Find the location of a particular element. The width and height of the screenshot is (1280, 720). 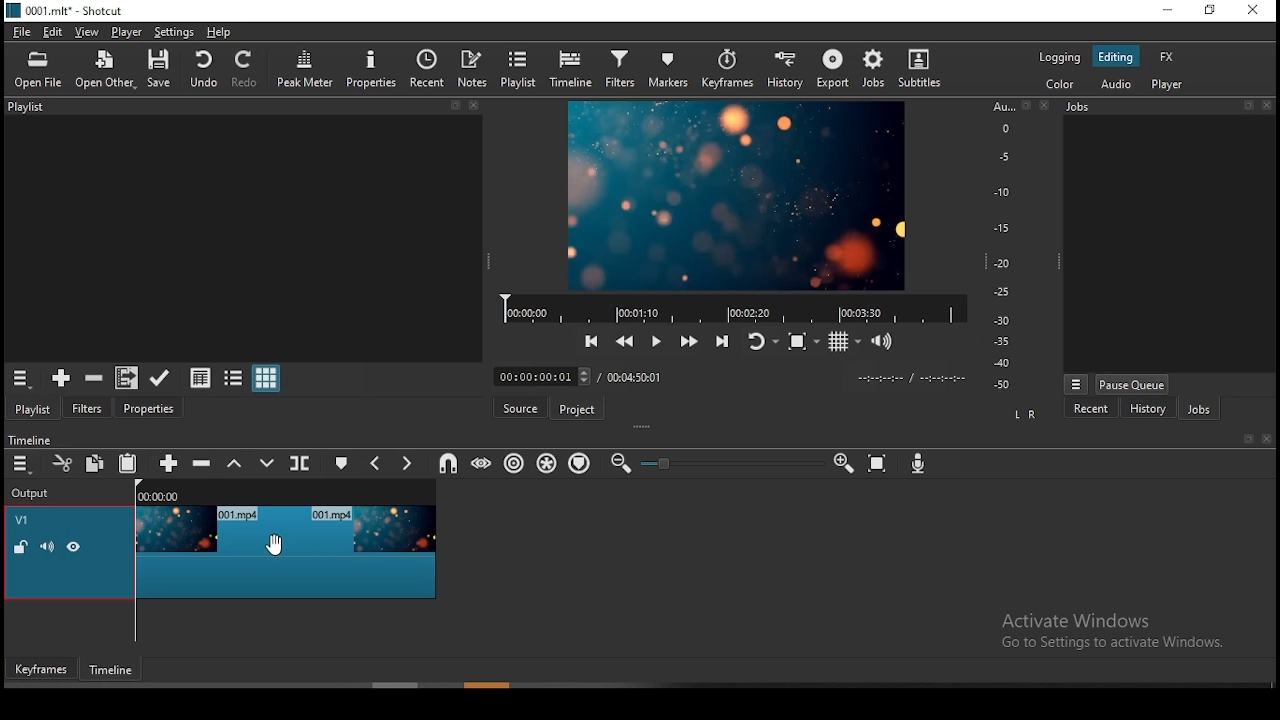

peak meter is located at coordinates (304, 70).